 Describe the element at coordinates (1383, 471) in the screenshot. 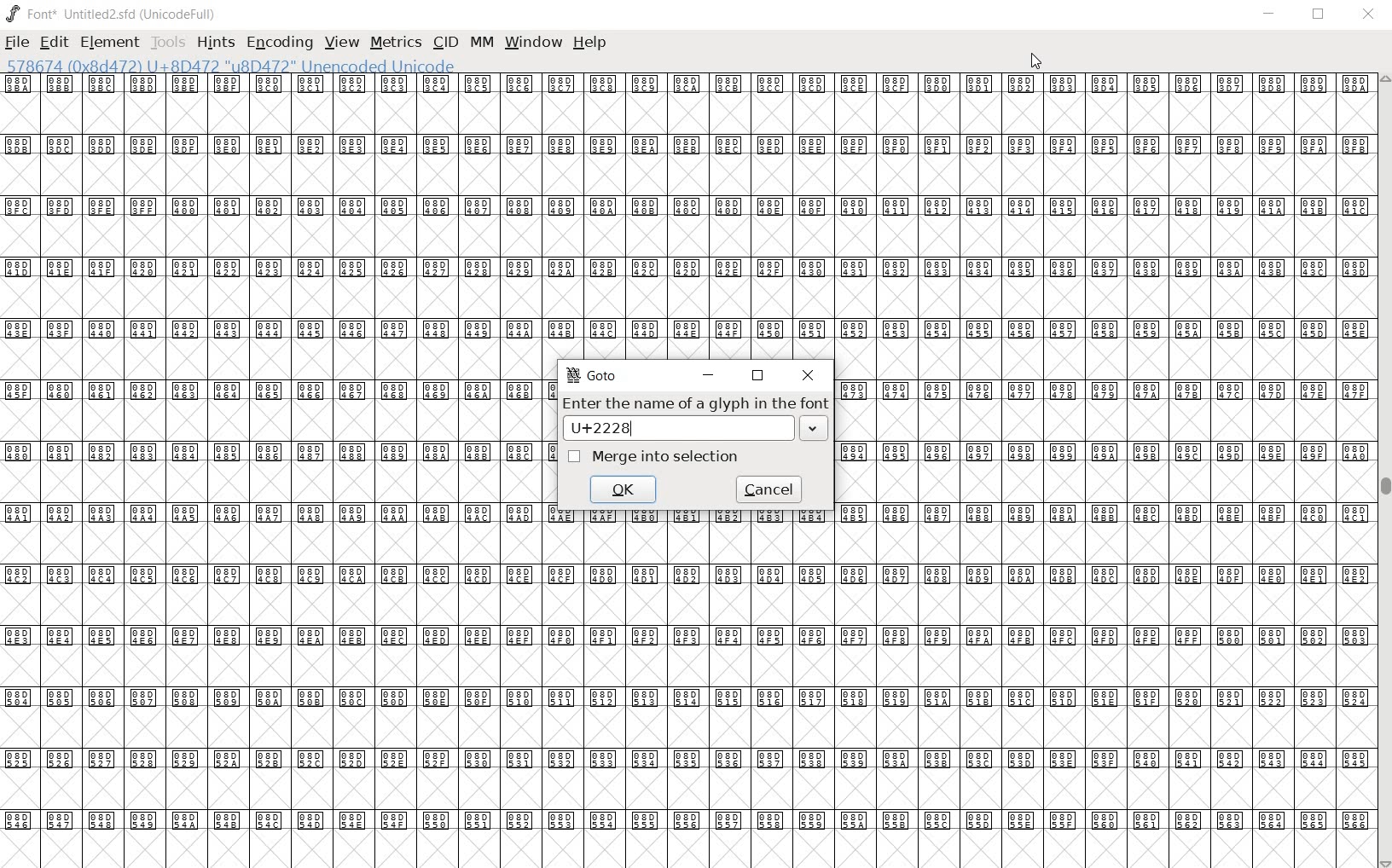

I see `scrollbar` at that location.